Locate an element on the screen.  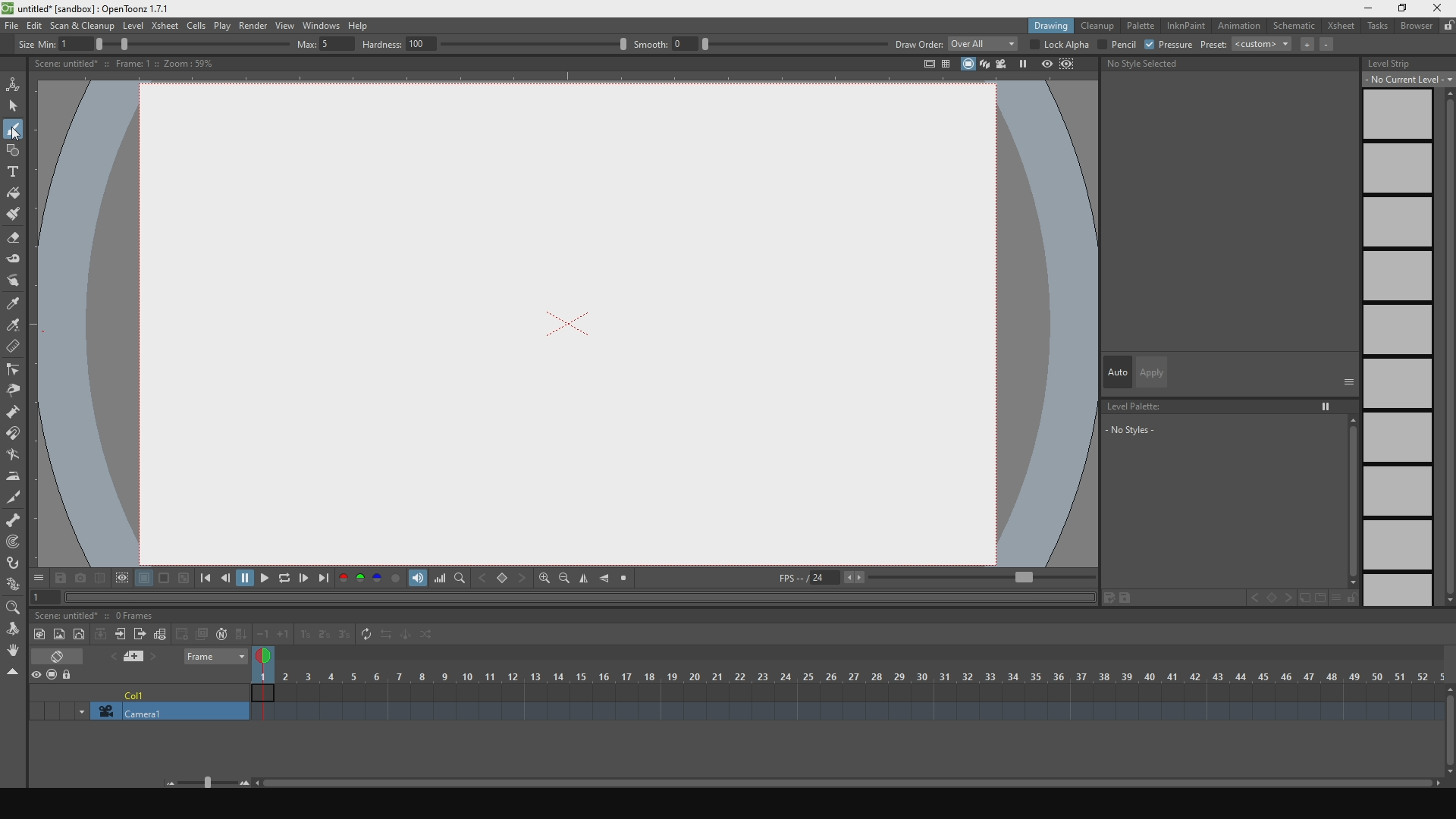
skip to the next point is located at coordinates (326, 579).